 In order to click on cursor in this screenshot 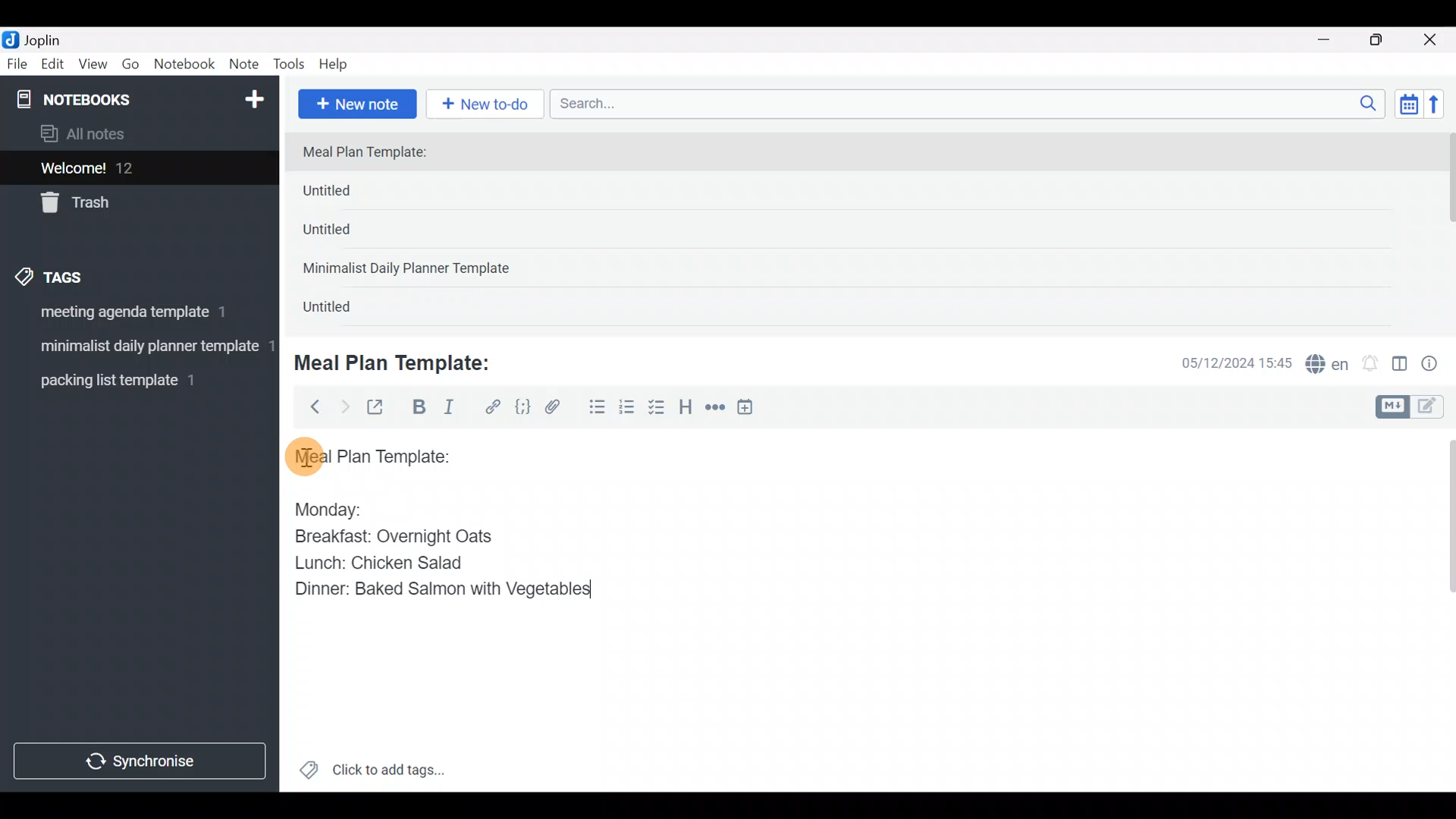, I will do `click(303, 456)`.